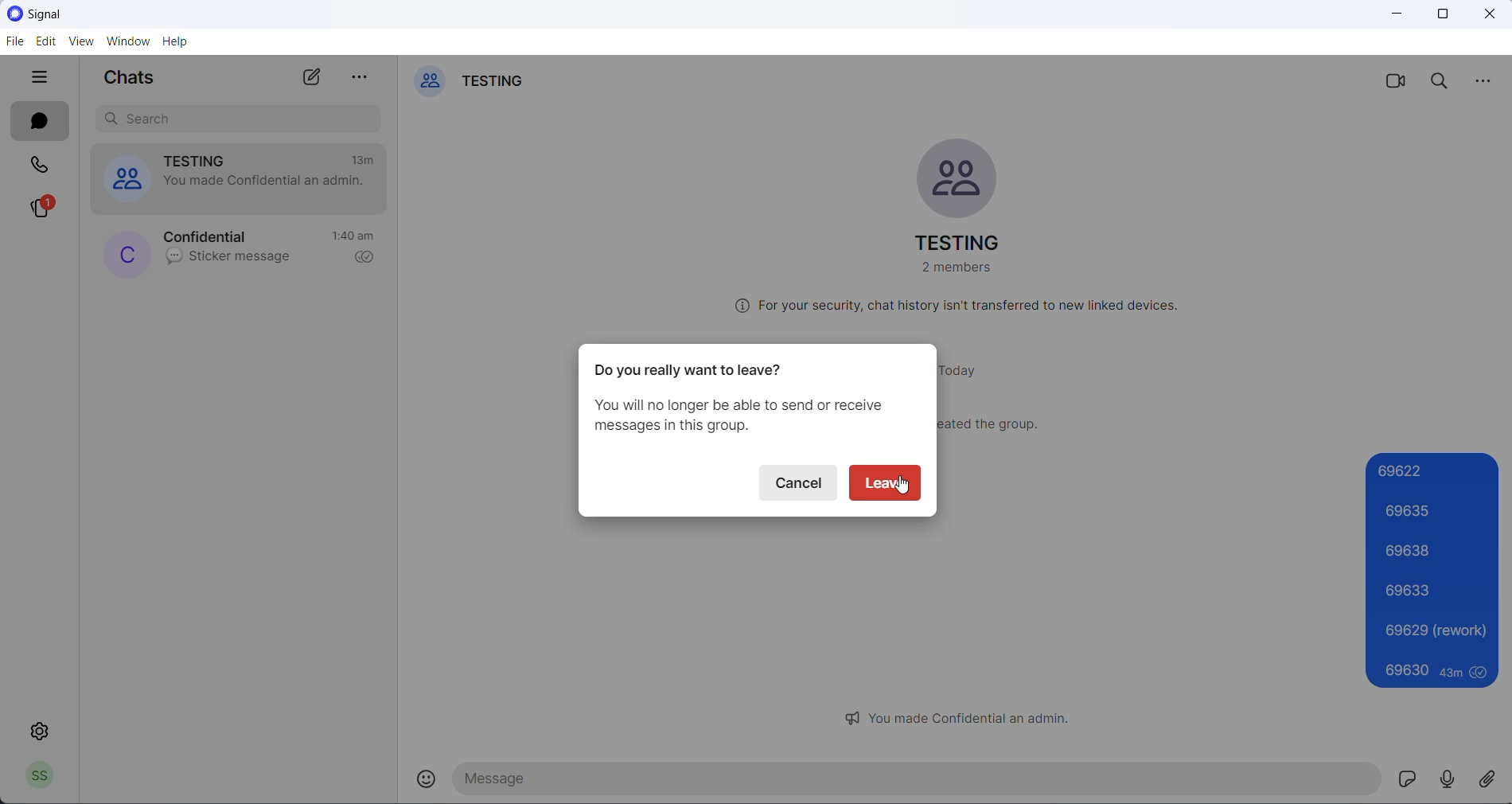 This screenshot has width=1512, height=804. Describe the element at coordinates (356, 234) in the screenshot. I see `last active time` at that location.